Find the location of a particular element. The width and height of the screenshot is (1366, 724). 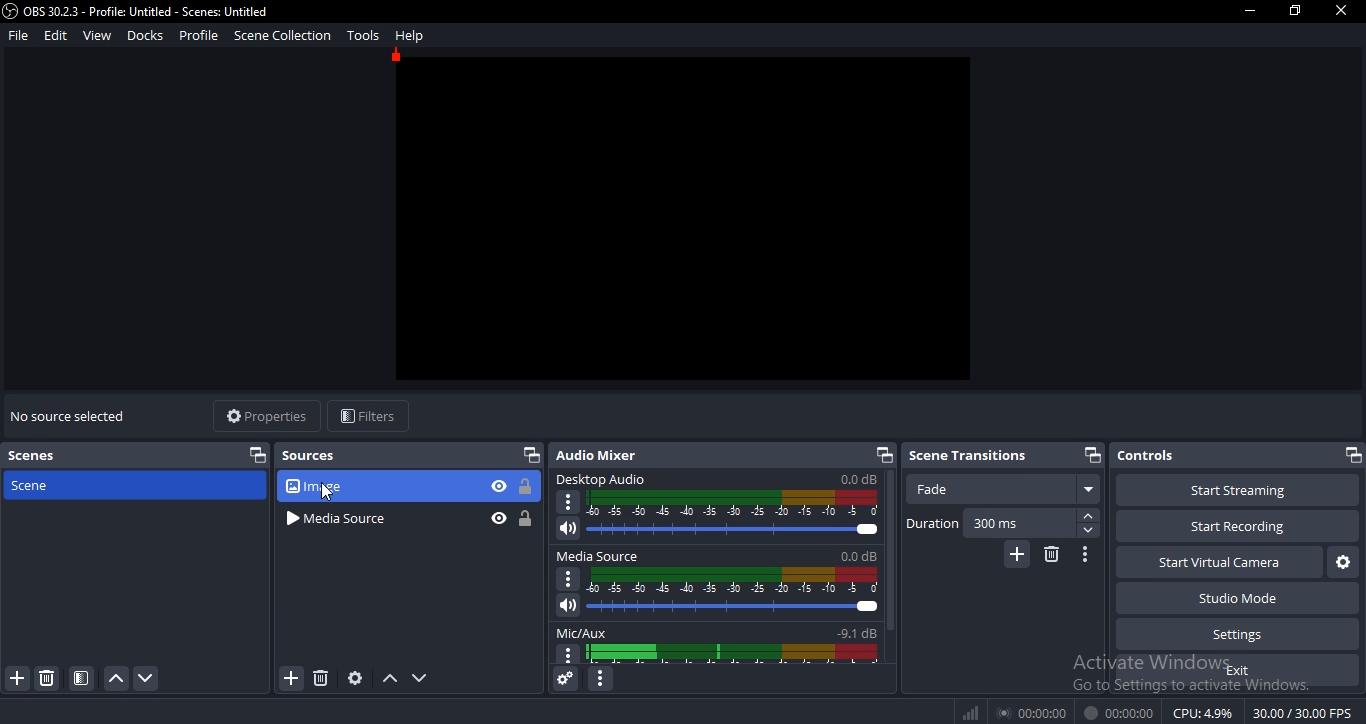

image is located at coordinates (684, 218).